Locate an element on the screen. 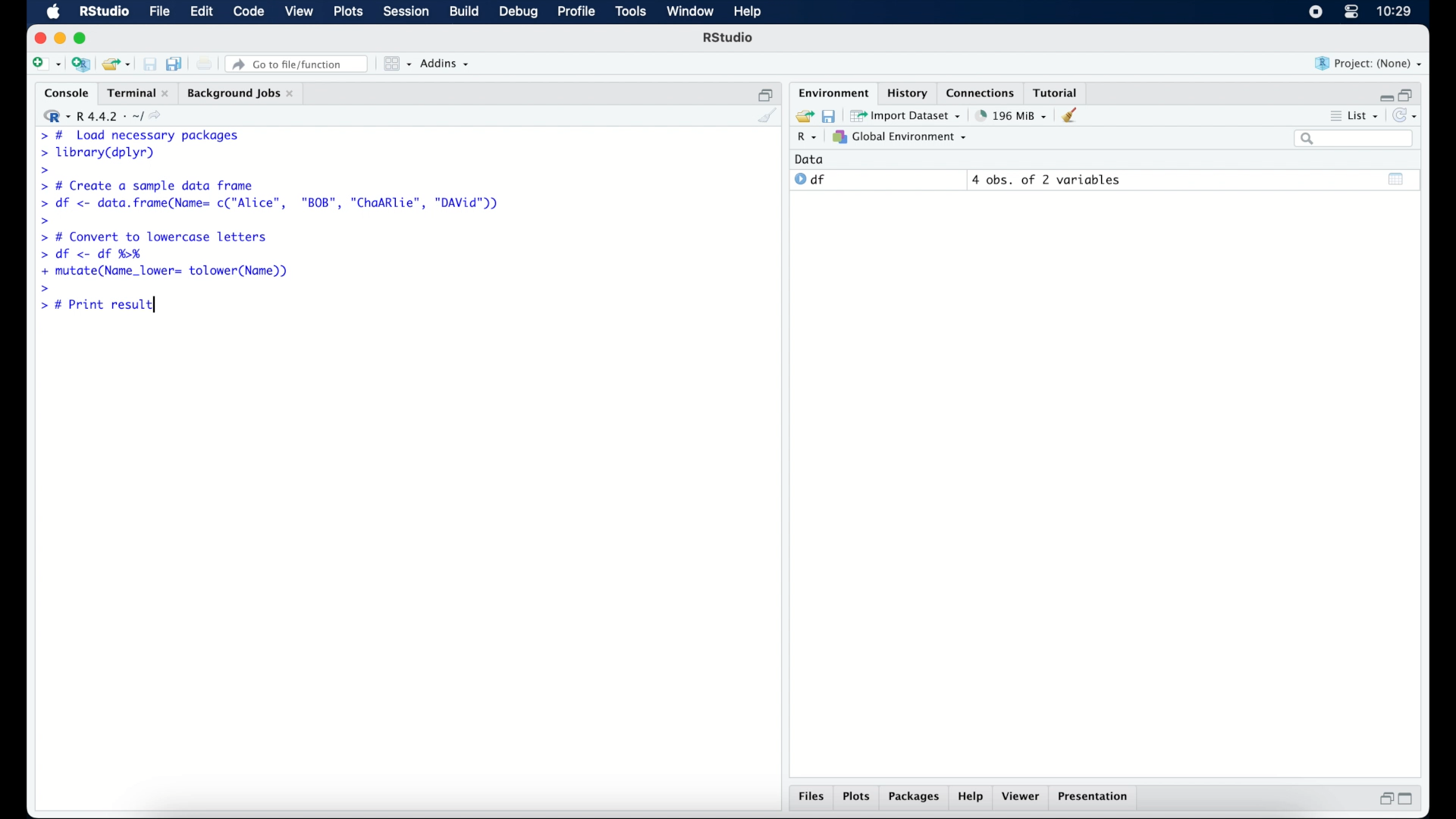  command prompt is located at coordinates (42, 171).